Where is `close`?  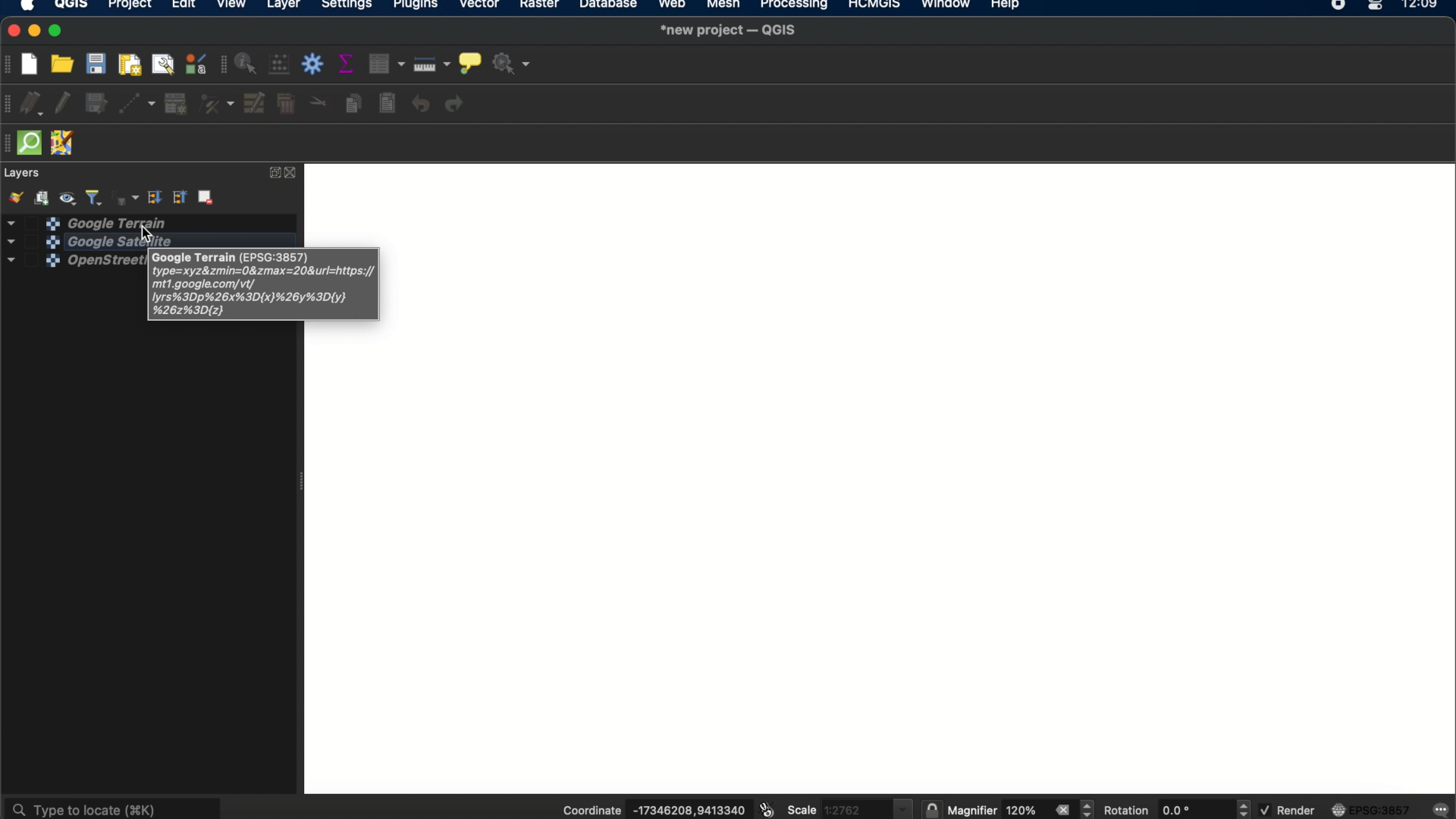 close is located at coordinates (1062, 810).